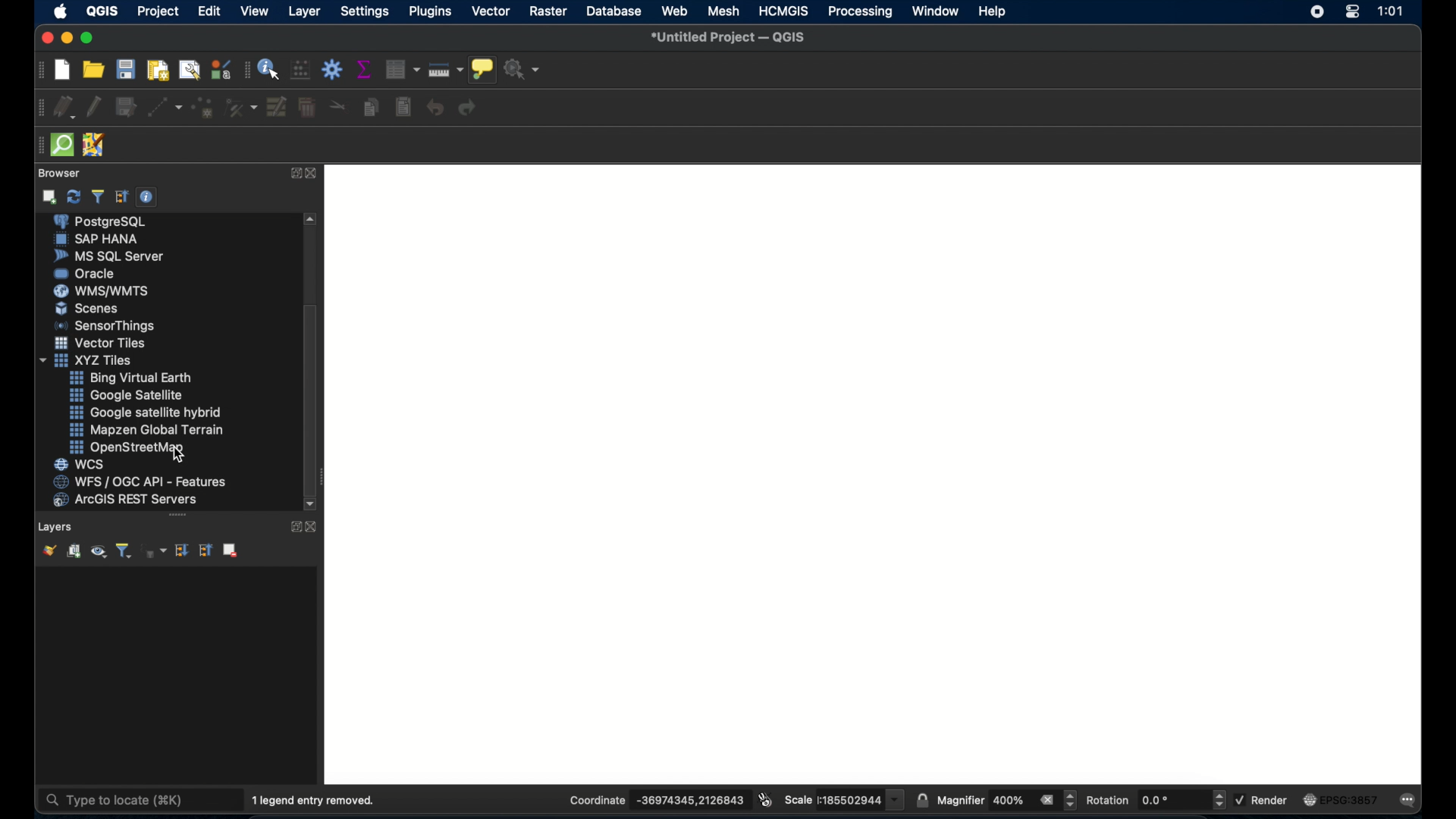  Describe the element at coordinates (137, 482) in the screenshot. I see `wfs/ogc api - features` at that location.